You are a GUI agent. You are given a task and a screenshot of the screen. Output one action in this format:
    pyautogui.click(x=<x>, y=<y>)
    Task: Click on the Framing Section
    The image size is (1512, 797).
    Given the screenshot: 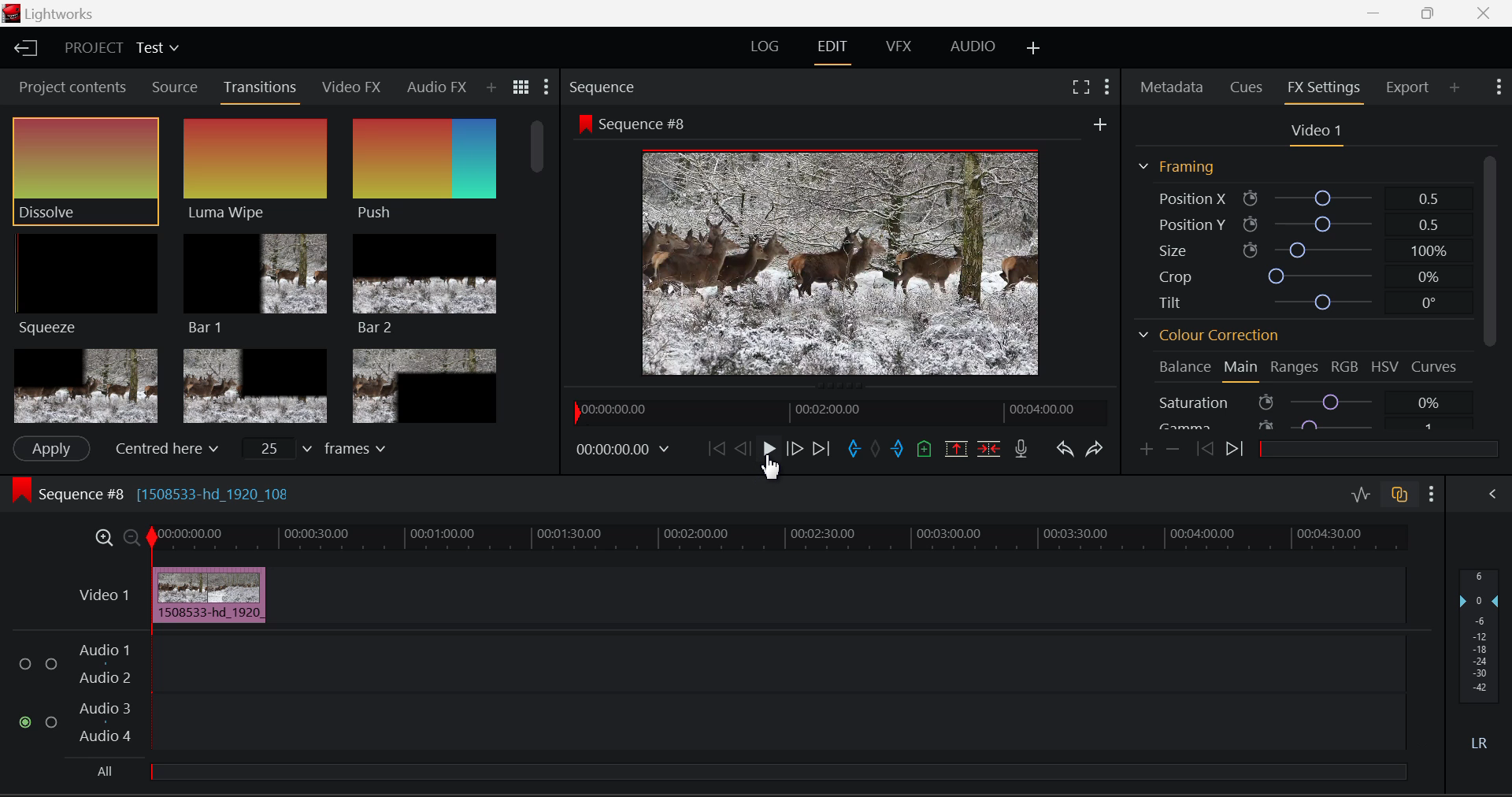 What is the action you would take?
    pyautogui.click(x=1185, y=167)
    